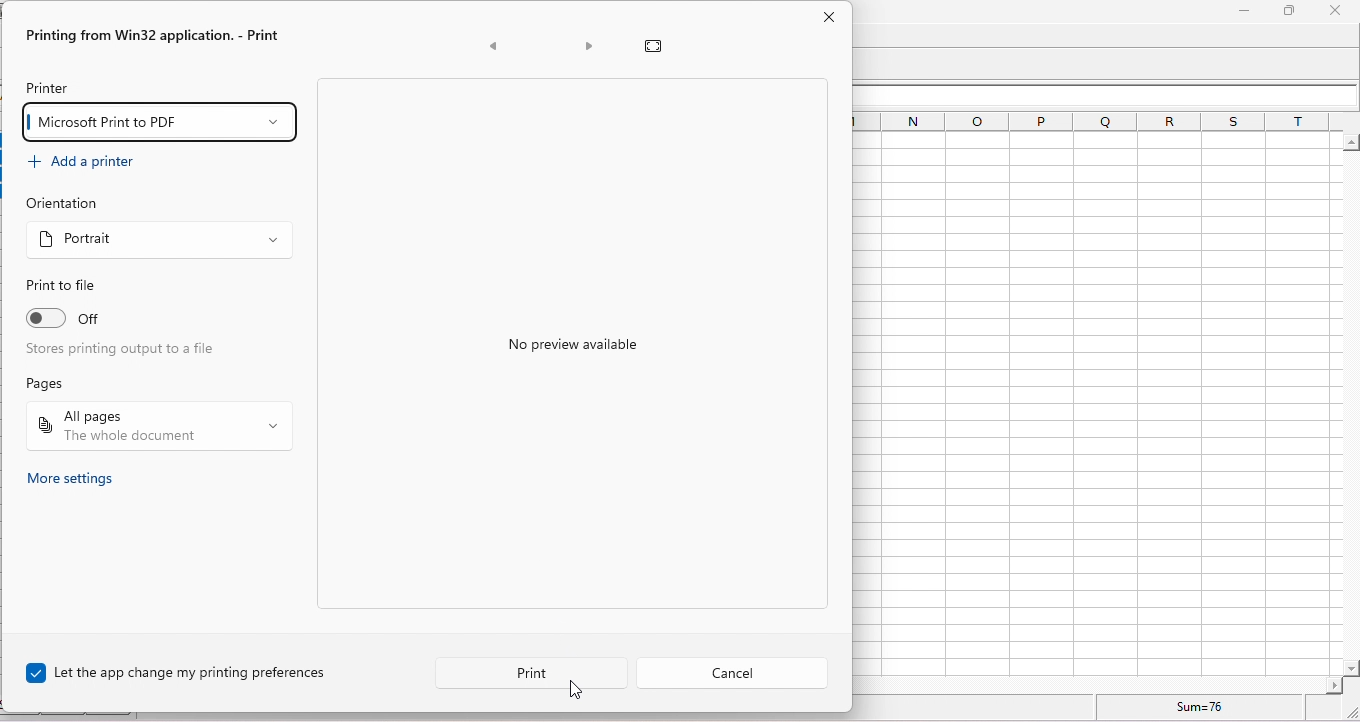  I want to click on column headings, so click(1095, 120).